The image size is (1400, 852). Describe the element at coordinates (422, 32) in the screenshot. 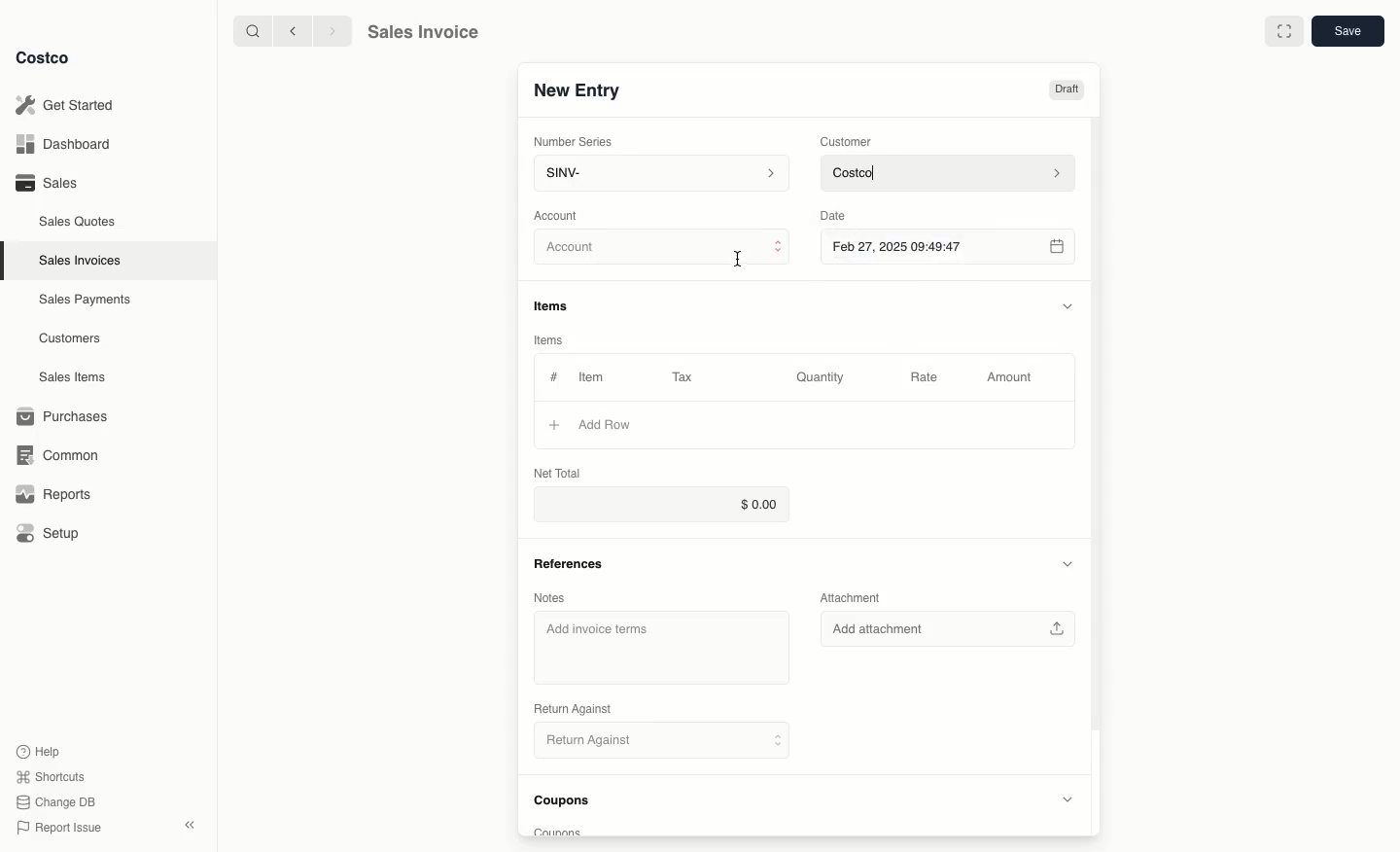

I see `Sales Invoice` at that location.